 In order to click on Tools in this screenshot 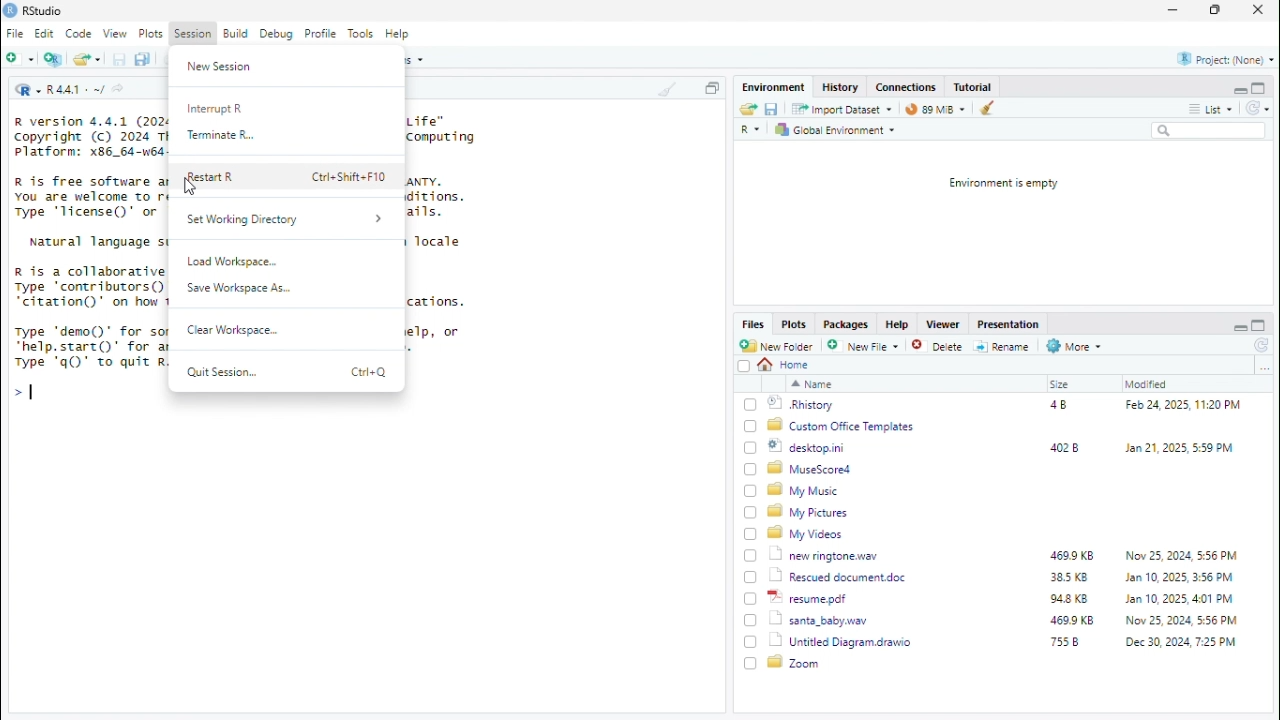, I will do `click(363, 33)`.